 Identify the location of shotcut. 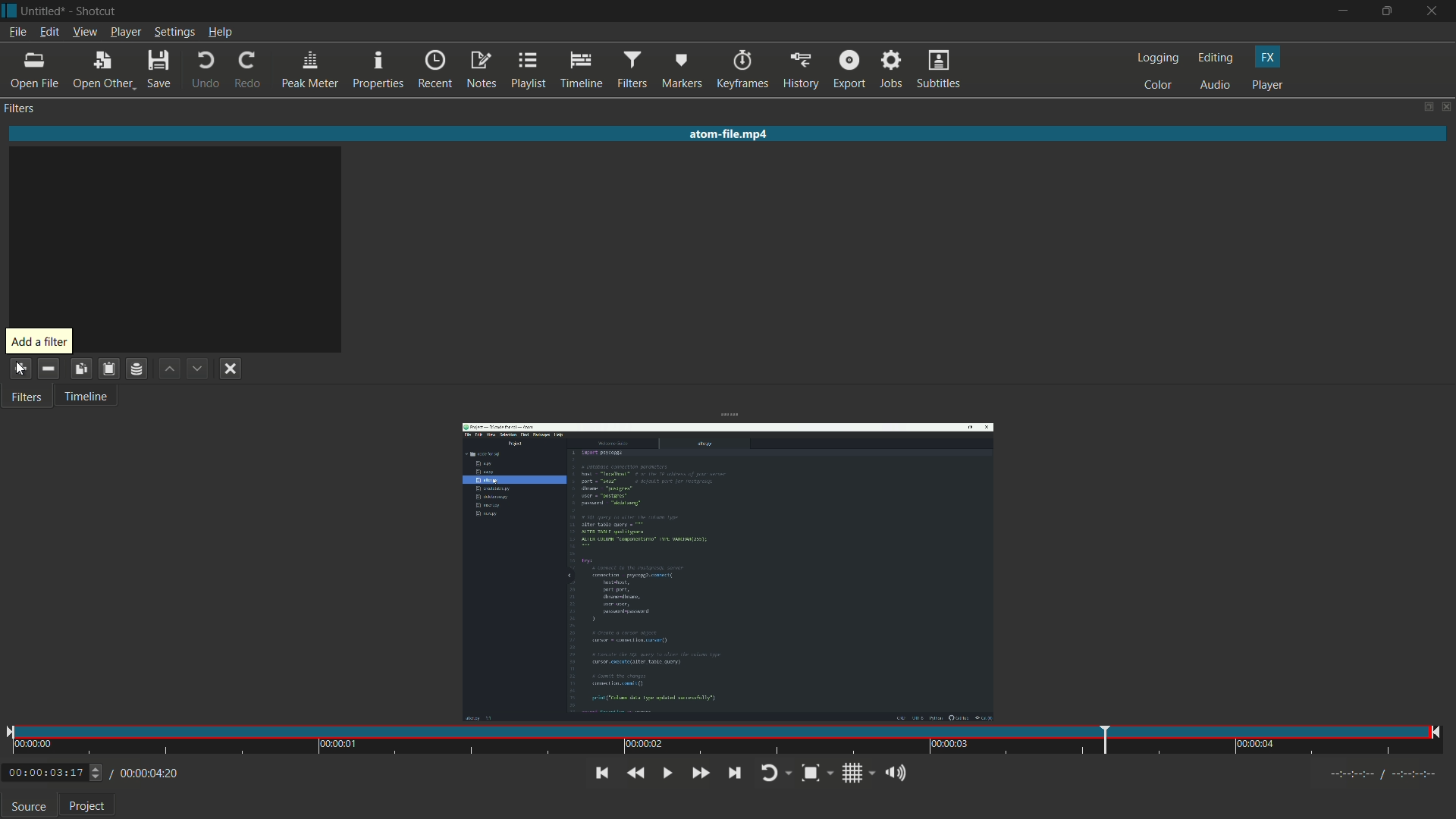
(95, 13).